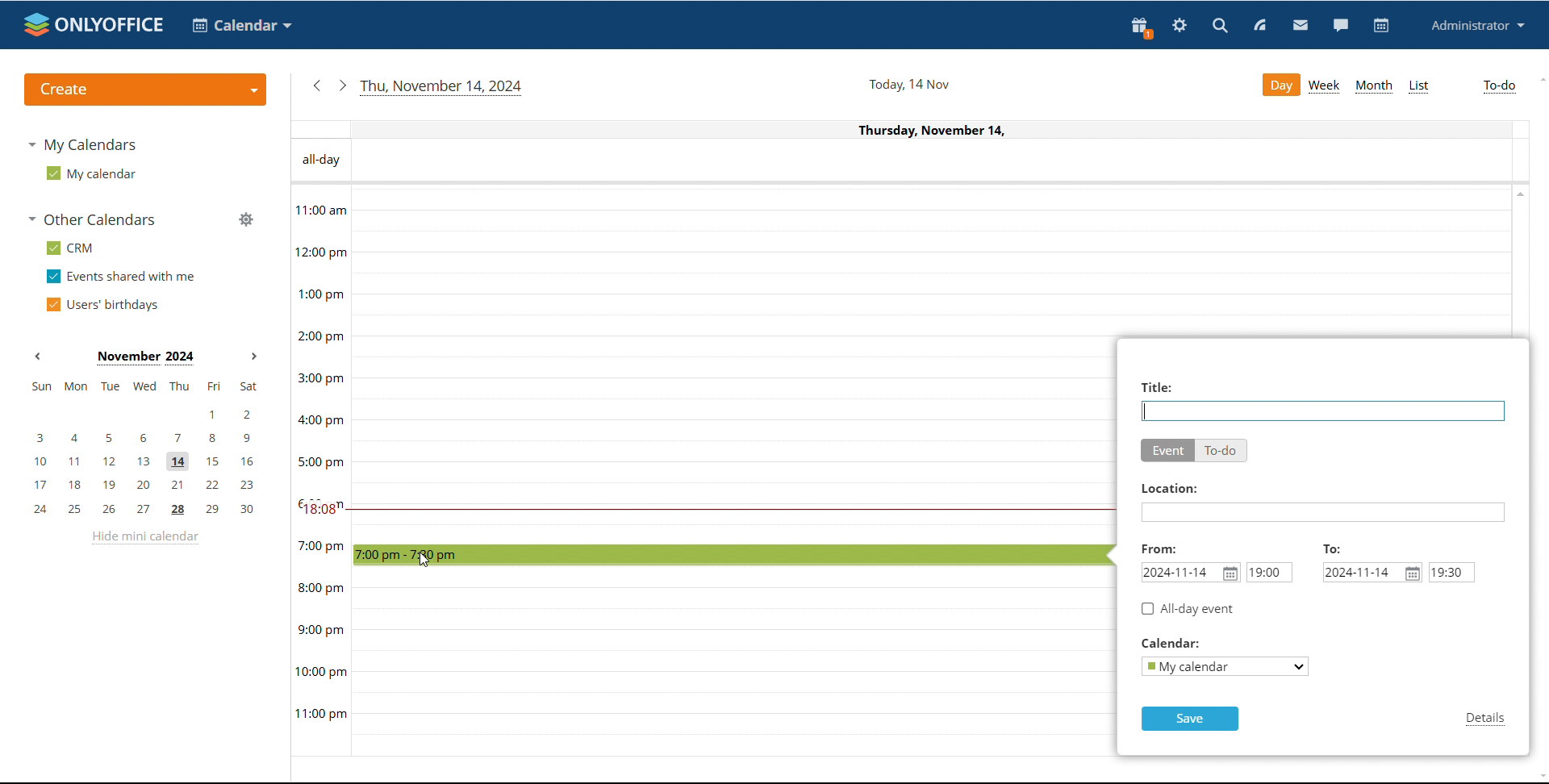 The image size is (1549, 784). I want to click on list view, so click(1417, 88).